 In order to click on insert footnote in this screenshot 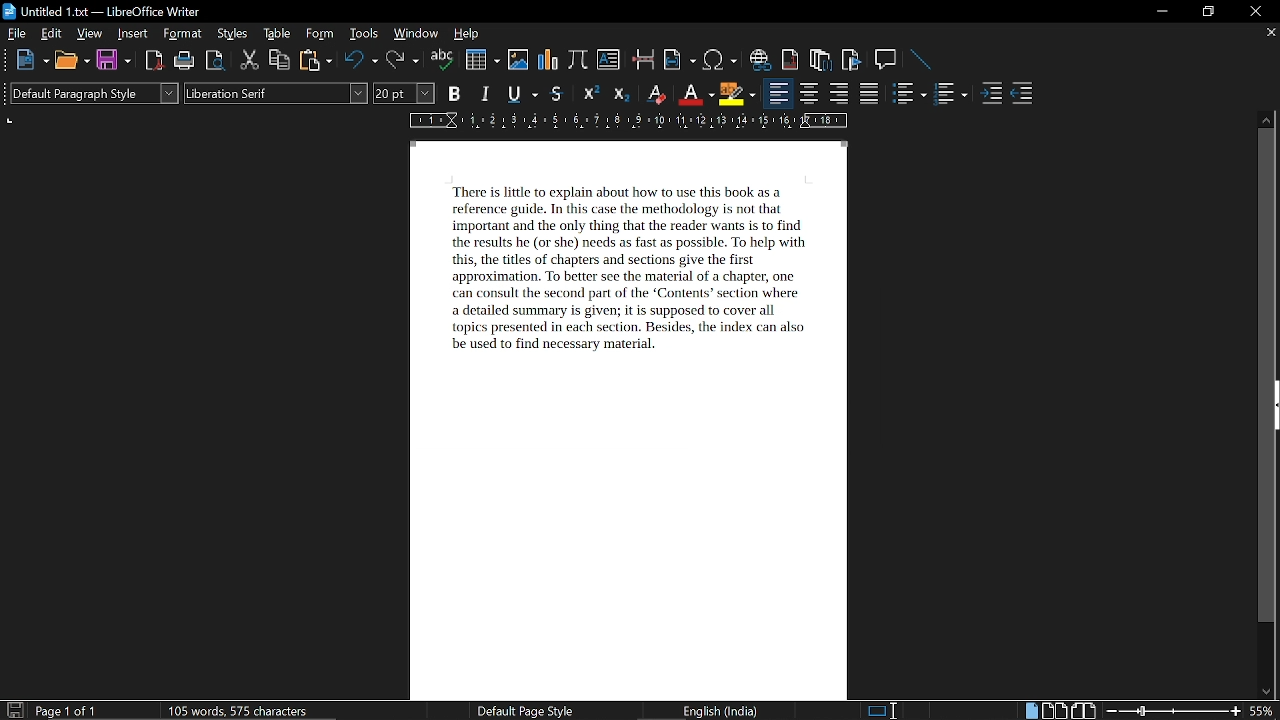, I will do `click(791, 59)`.